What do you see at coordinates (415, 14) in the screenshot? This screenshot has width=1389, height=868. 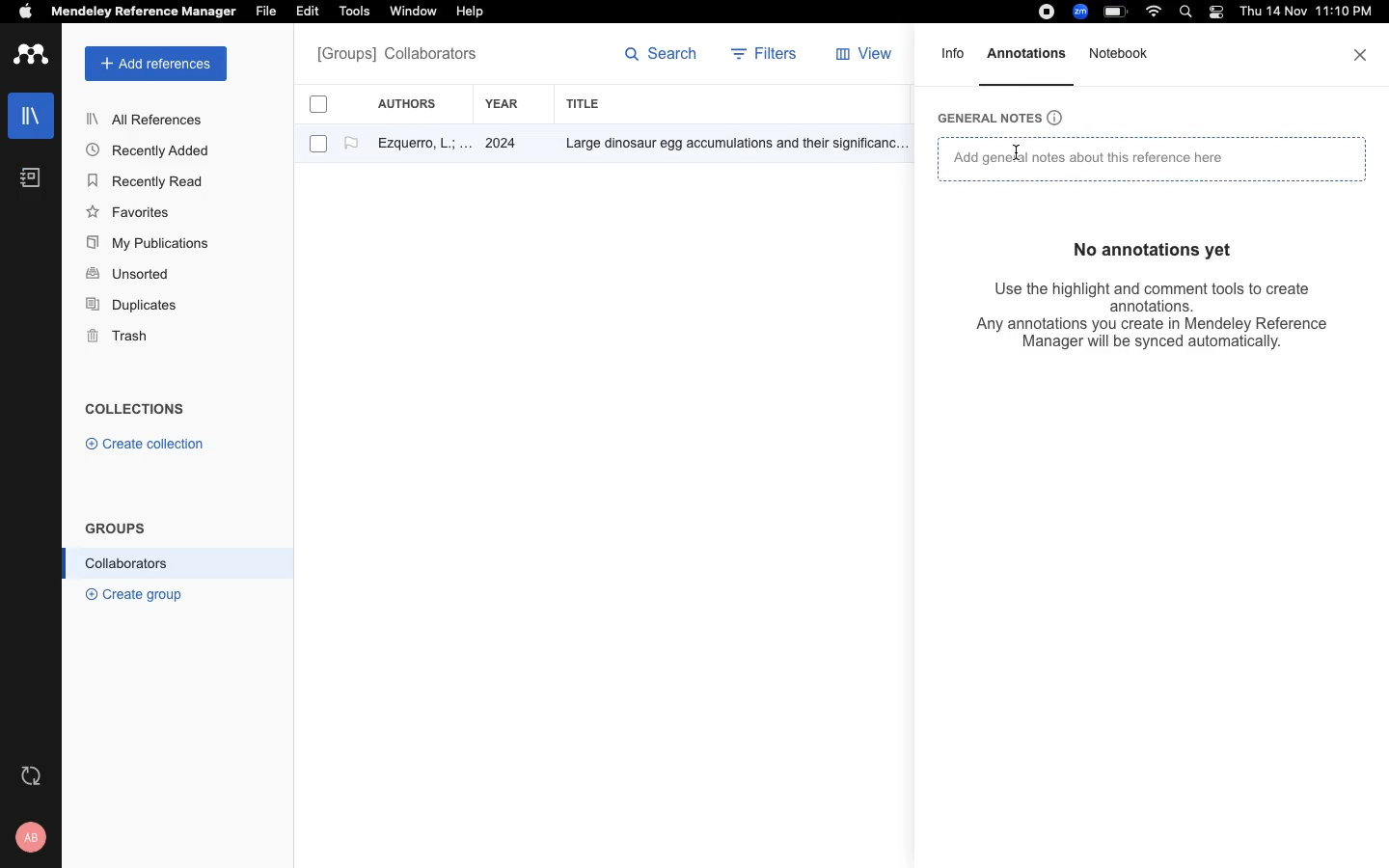 I see `‘Window` at bounding box center [415, 14].